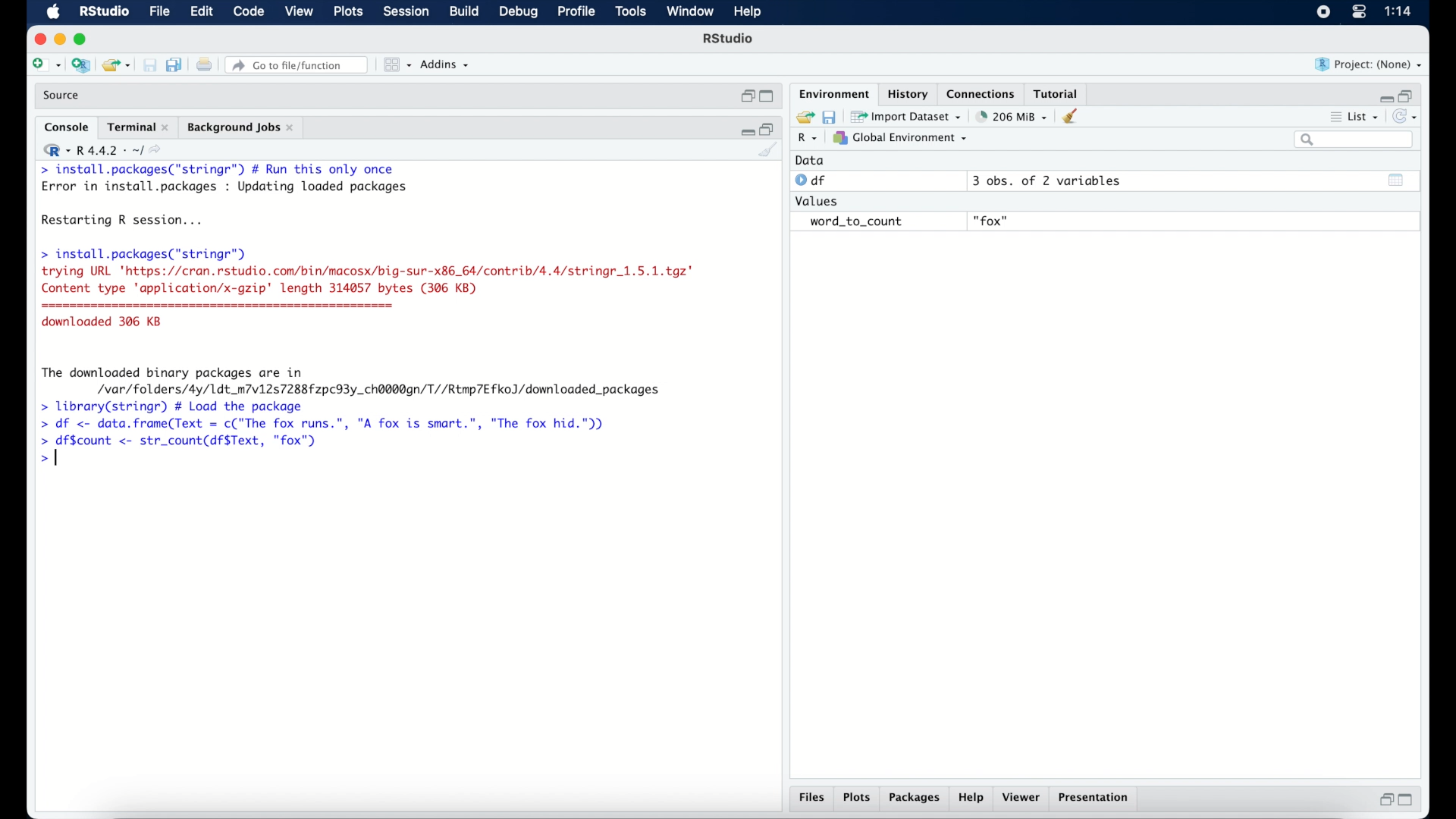 This screenshot has width=1456, height=819. I want to click on history, so click(906, 94).